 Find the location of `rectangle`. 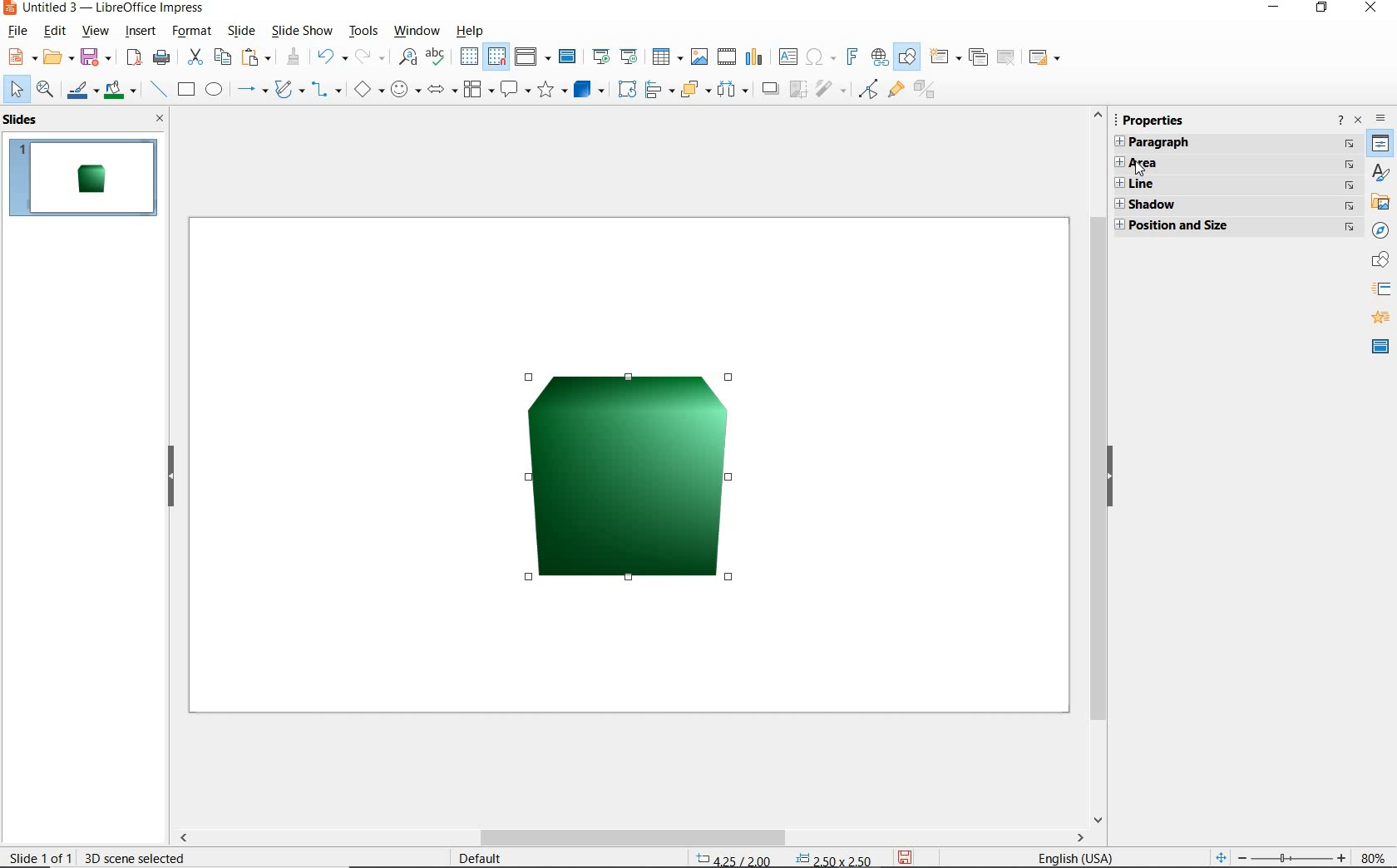

rectangle is located at coordinates (185, 90).